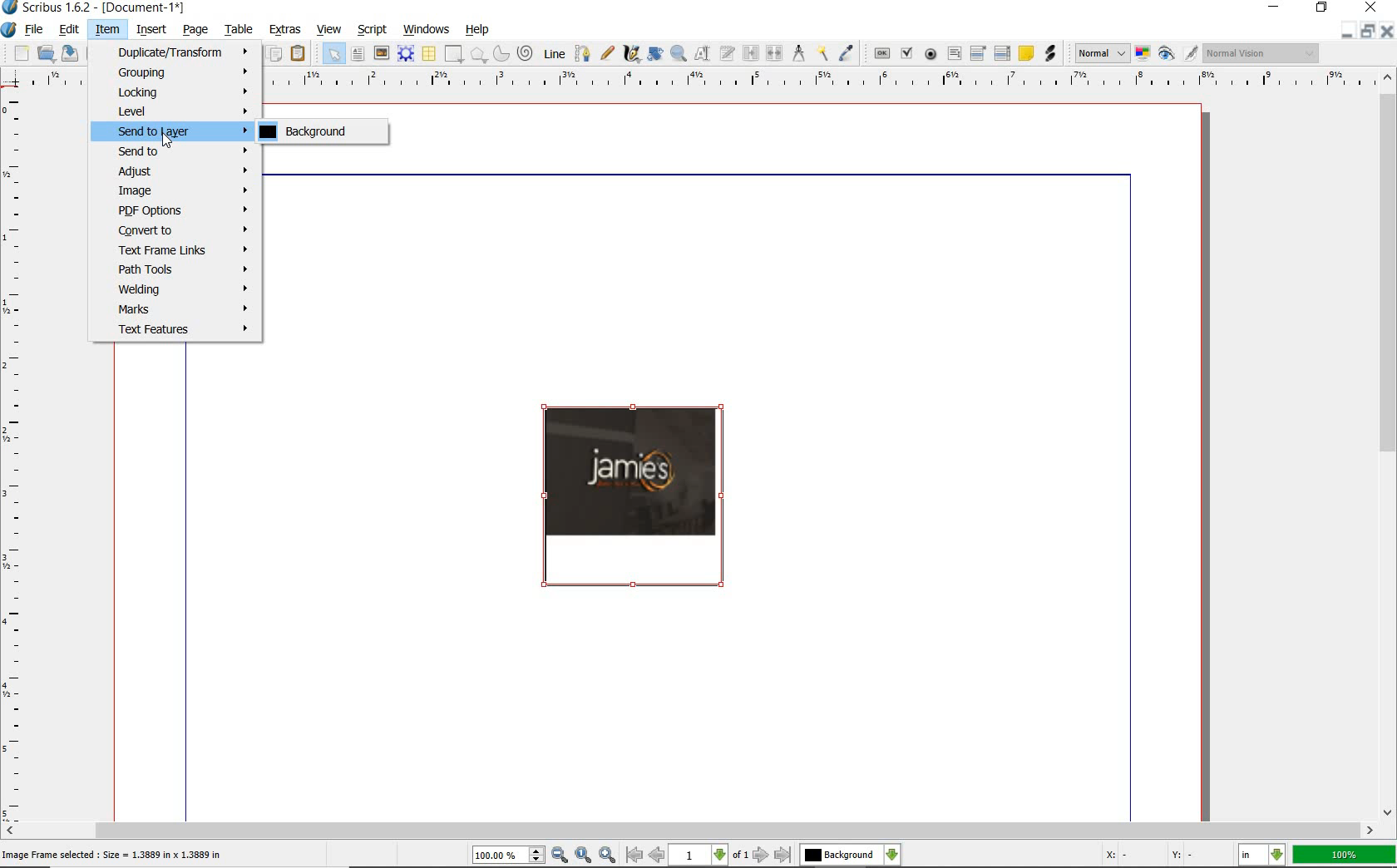 Image resolution: width=1397 pixels, height=868 pixels. What do you see at coordinates (1026, 54) in the screenshot?
I see `text annotation` at bounding box center [1026, 54].